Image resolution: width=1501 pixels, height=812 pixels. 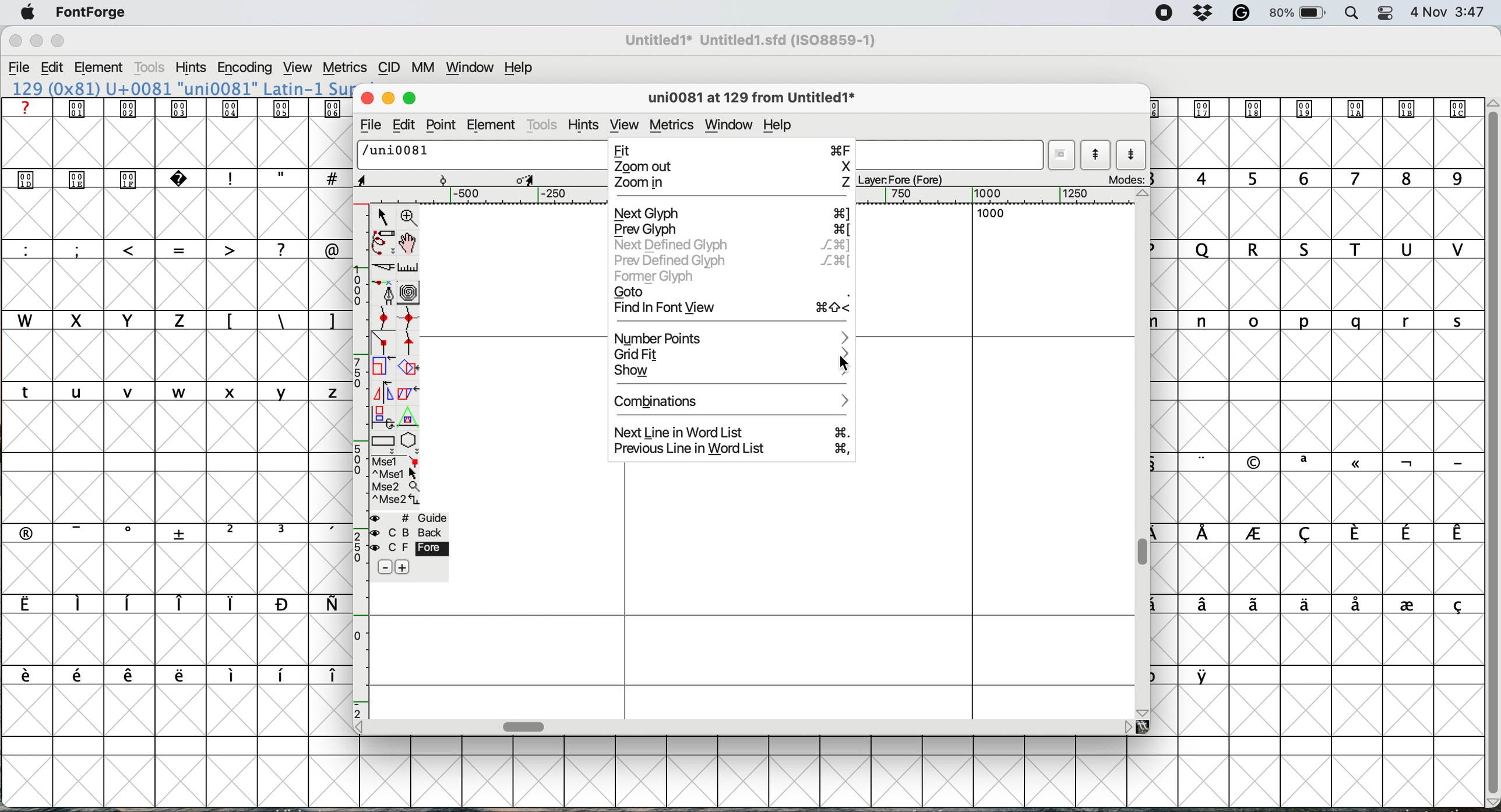 What do you see at coordinates (411, 346) in the screenshot?
I see `tangent point` at bounding box center [411, 346].